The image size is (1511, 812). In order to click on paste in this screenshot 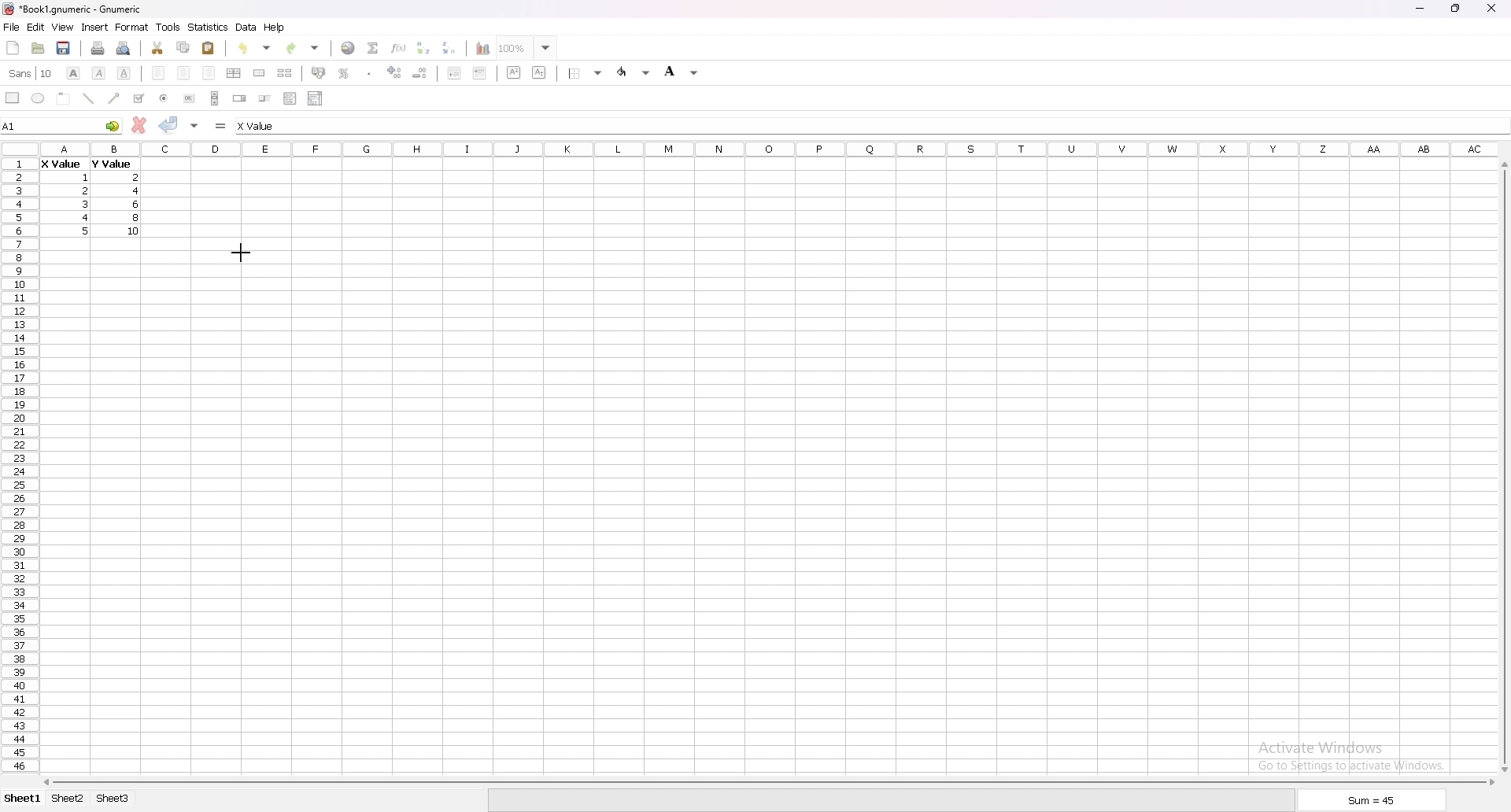, I will do `click(209, 47)`.